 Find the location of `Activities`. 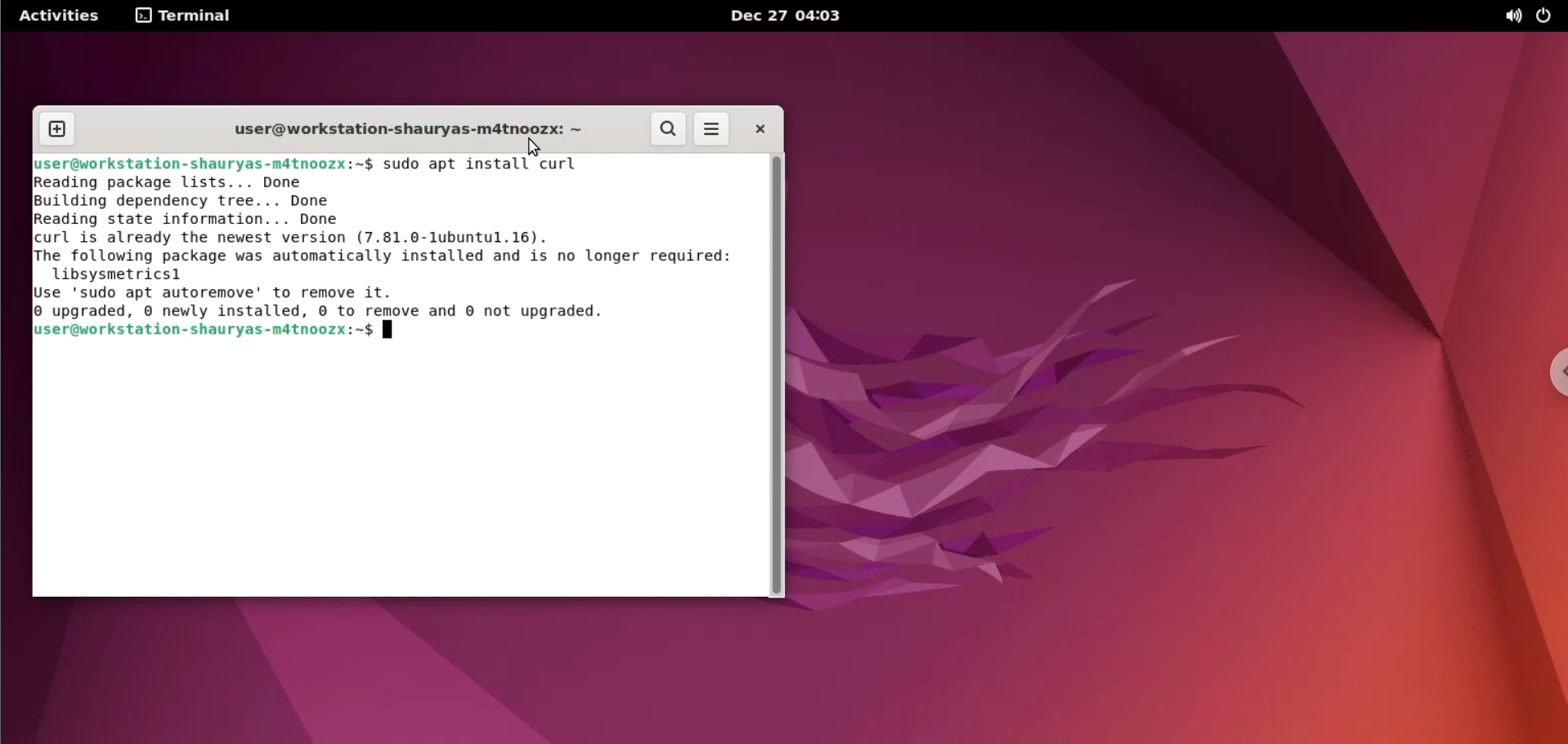

Activities is located at coordinates (56, 16).